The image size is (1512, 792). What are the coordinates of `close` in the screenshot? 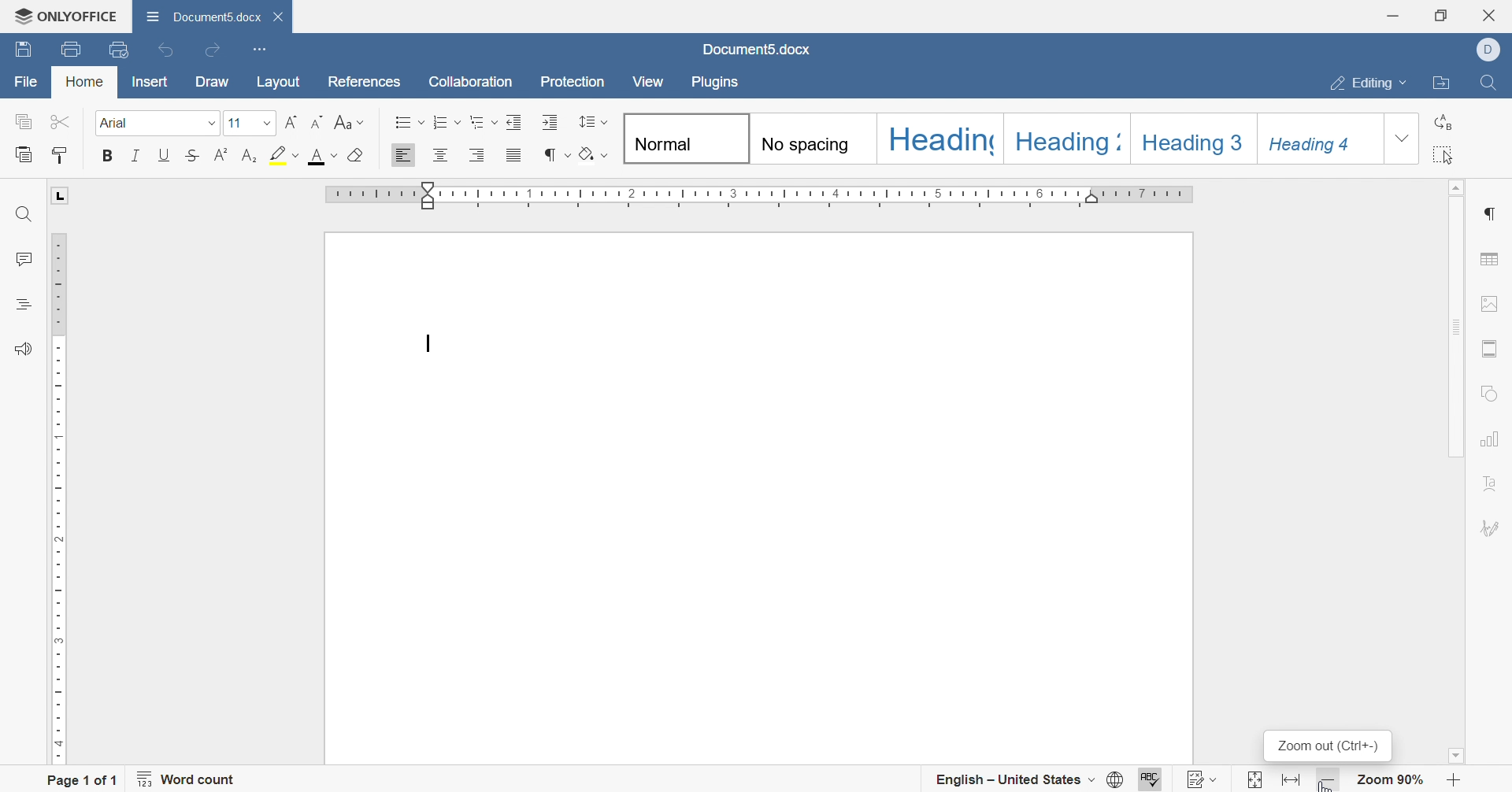 It's located at (277, 17).